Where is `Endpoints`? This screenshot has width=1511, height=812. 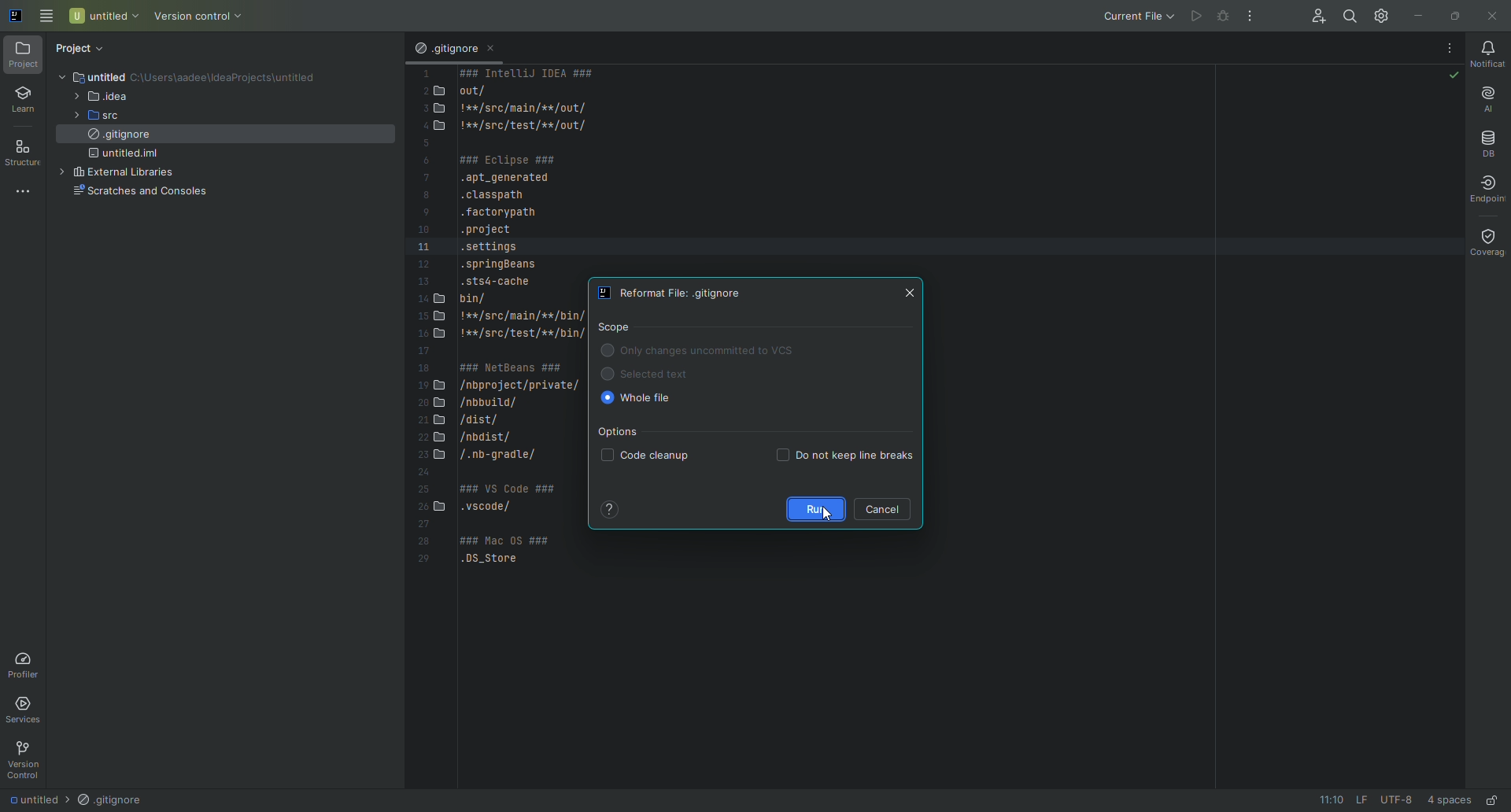 Endpoints is located at coordinates (1491, 190).